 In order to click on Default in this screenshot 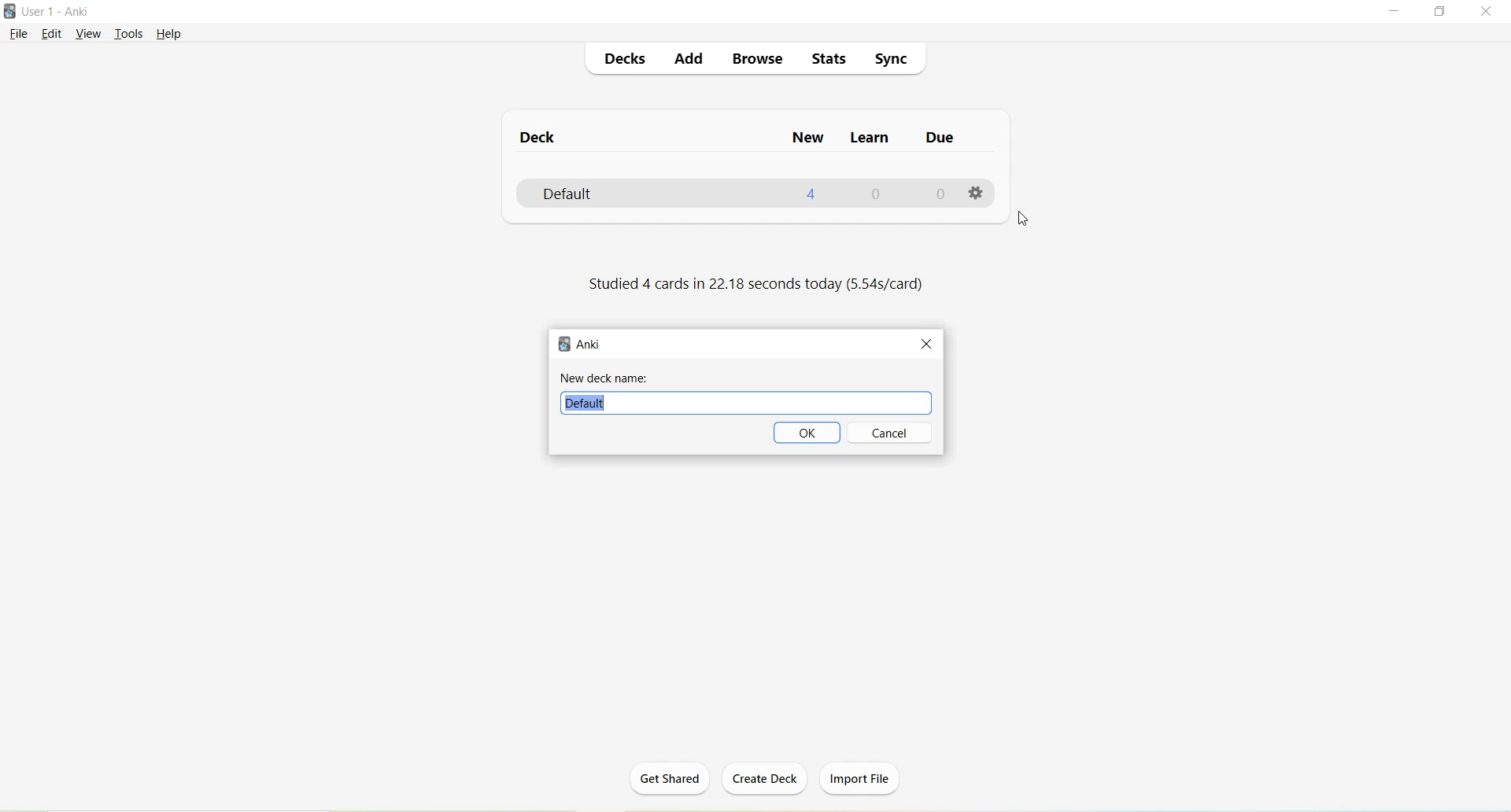, I will do `click(593, 194)`.